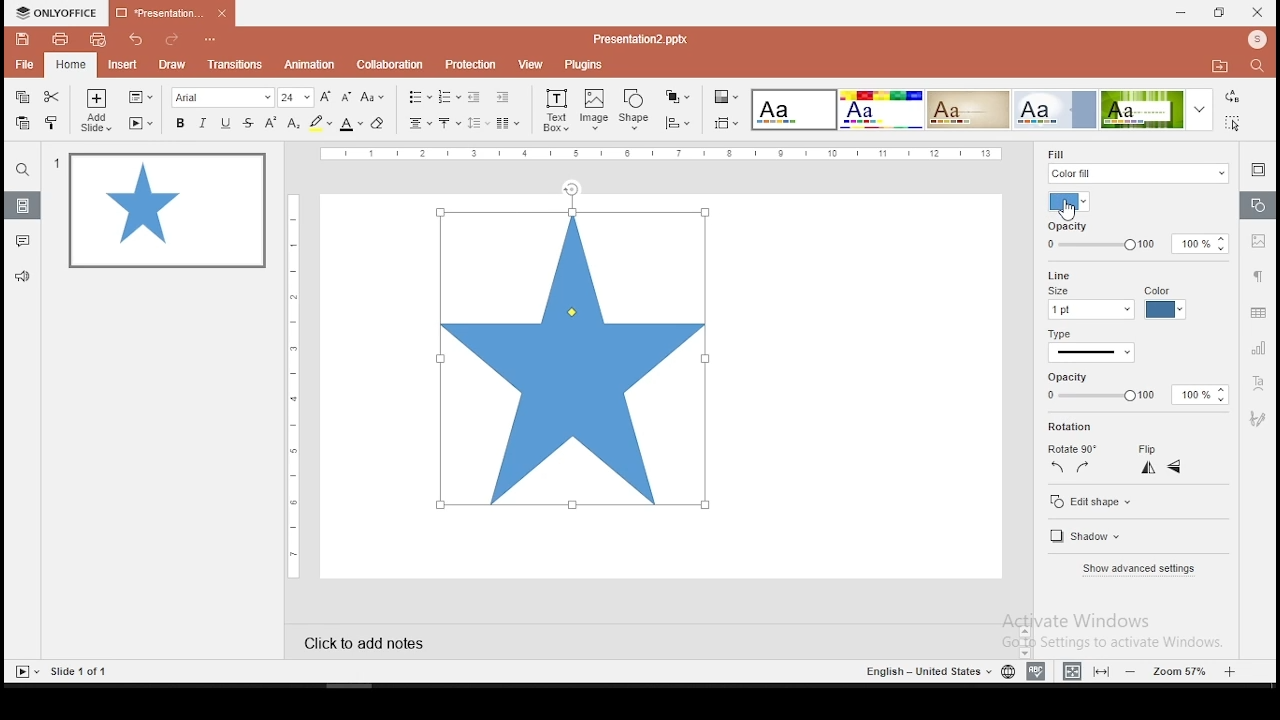 The image size is (1280, 720). I want to click on strikethrough, so click(248, 123).